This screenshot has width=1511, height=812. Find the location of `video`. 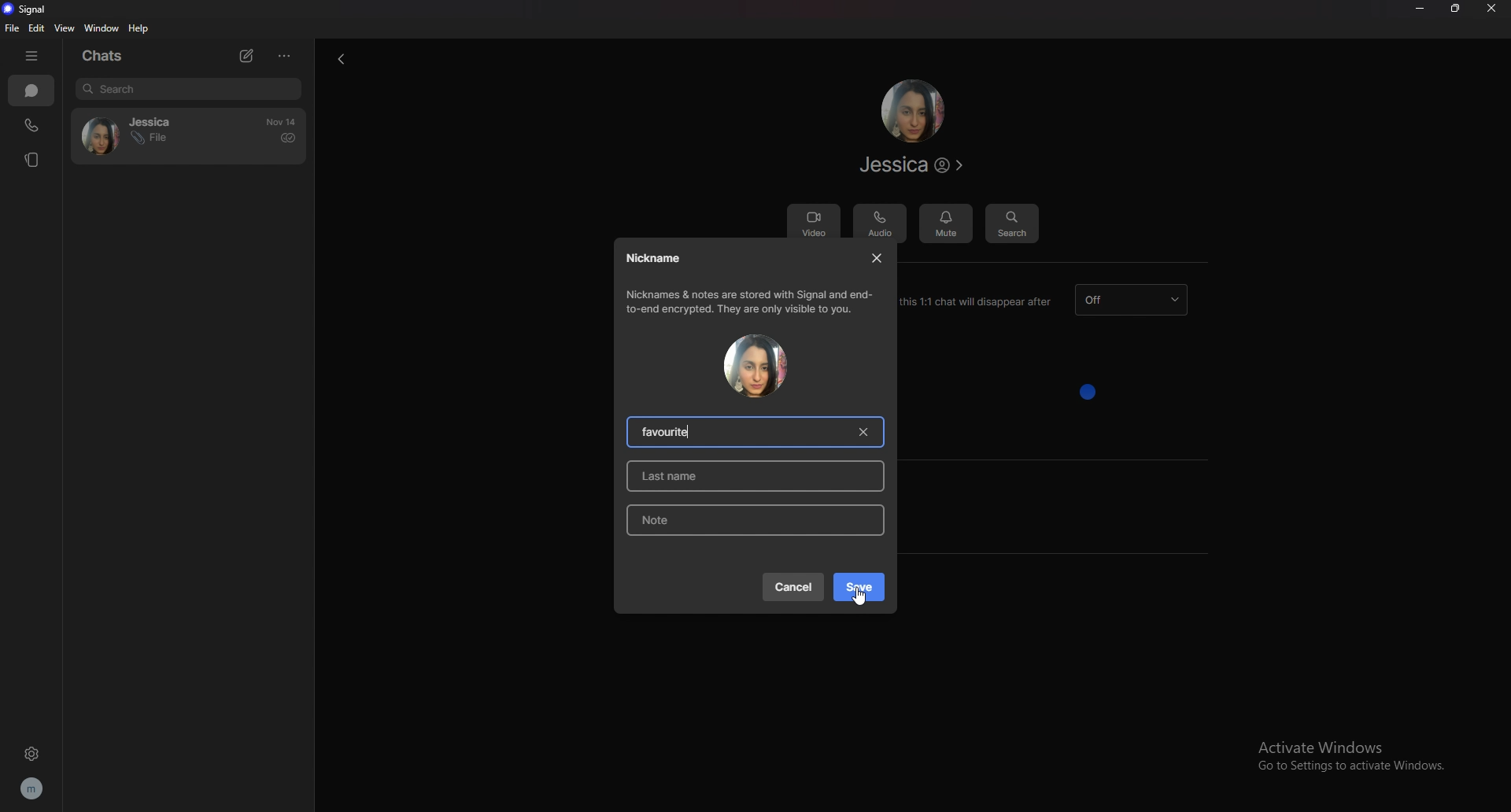

video is located at coordinates (813, 223).